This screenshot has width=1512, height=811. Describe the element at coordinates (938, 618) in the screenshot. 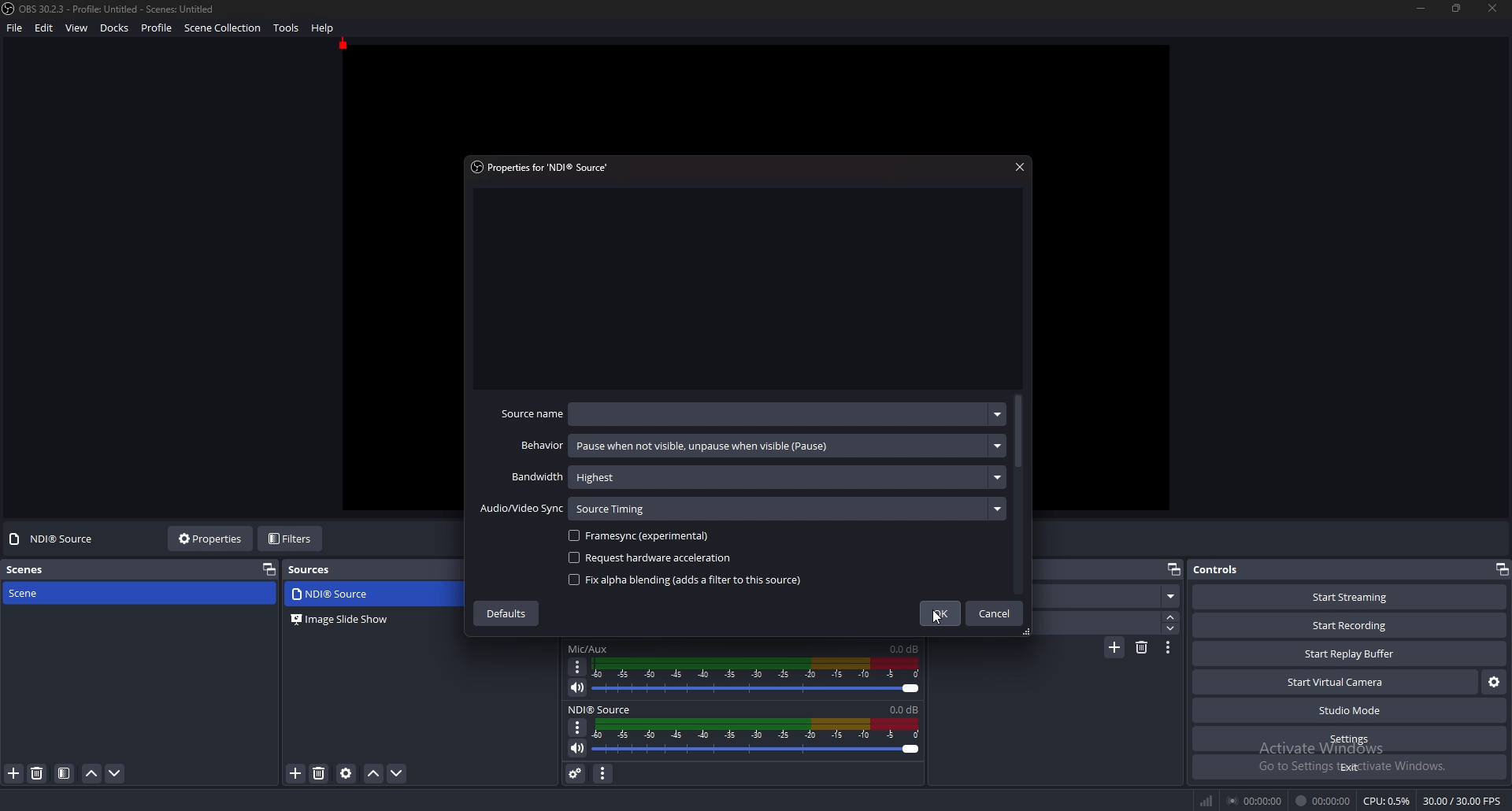

I see `cursor` at that location.